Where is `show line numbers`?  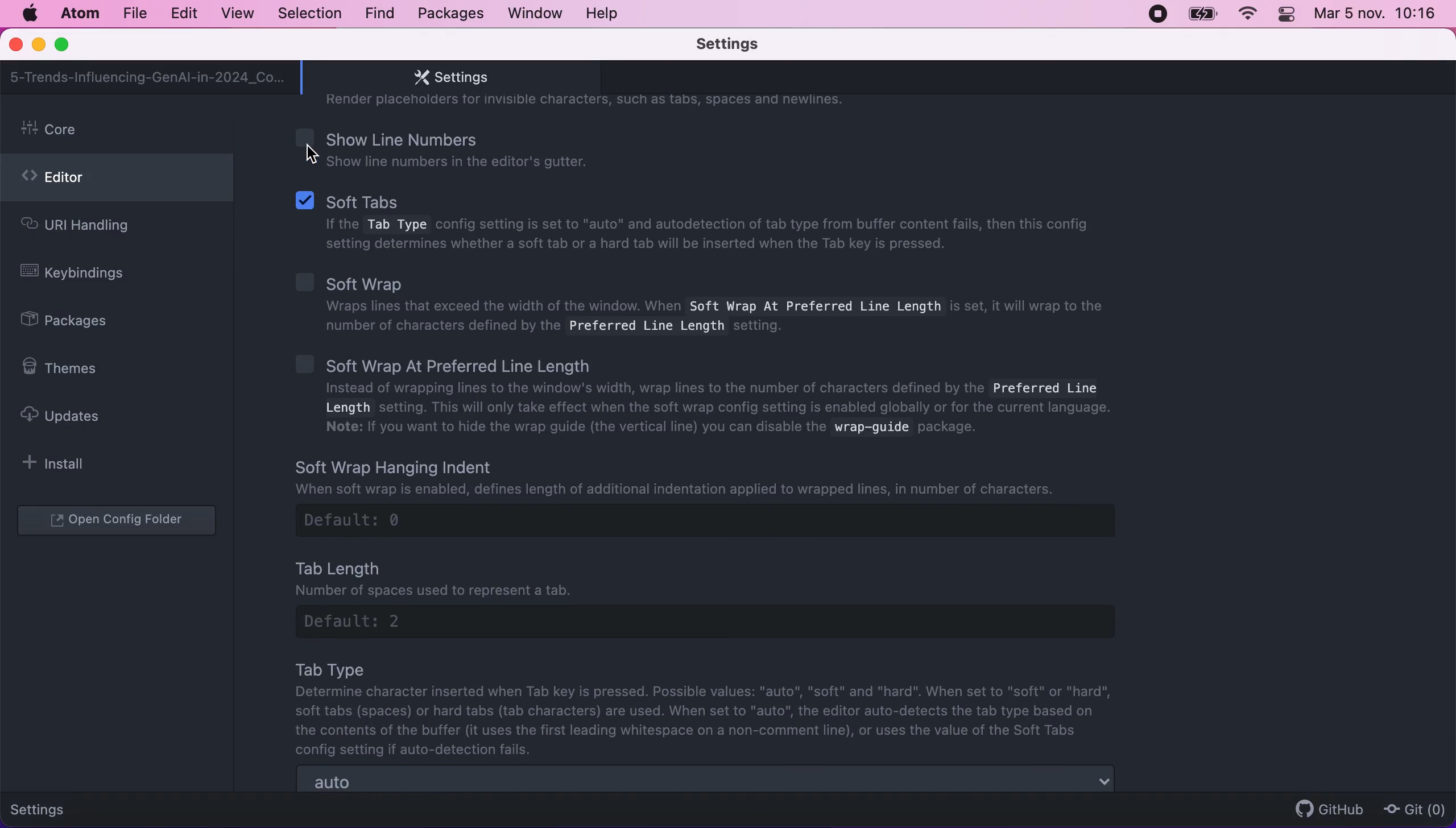
show line numbers is located at coordinates (471, 148).